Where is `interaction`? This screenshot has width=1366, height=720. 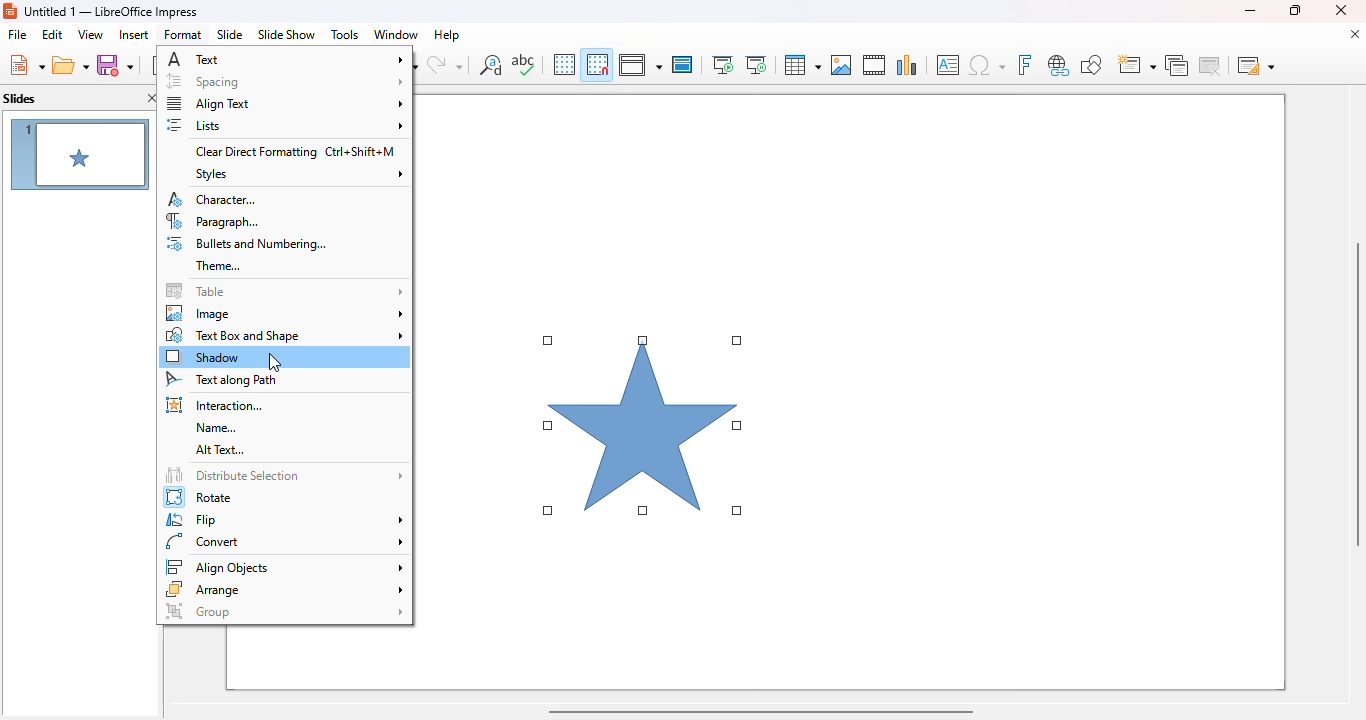
interaction is located at coordinates (215, 405).